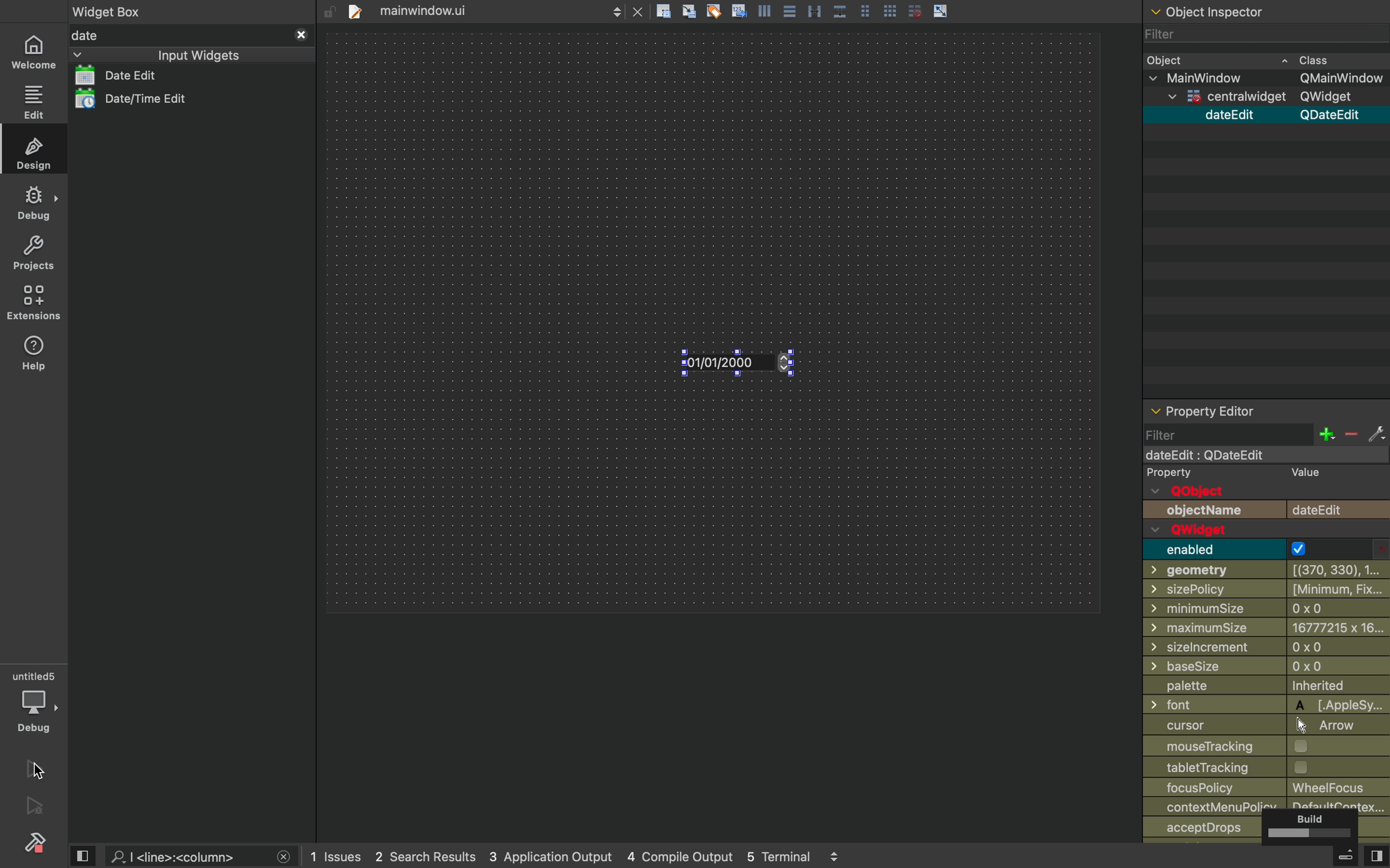  What do you see at coordinates (1266, 629) in the screenshot?
I see `maximumsize` at bounding box center [1266, 629].